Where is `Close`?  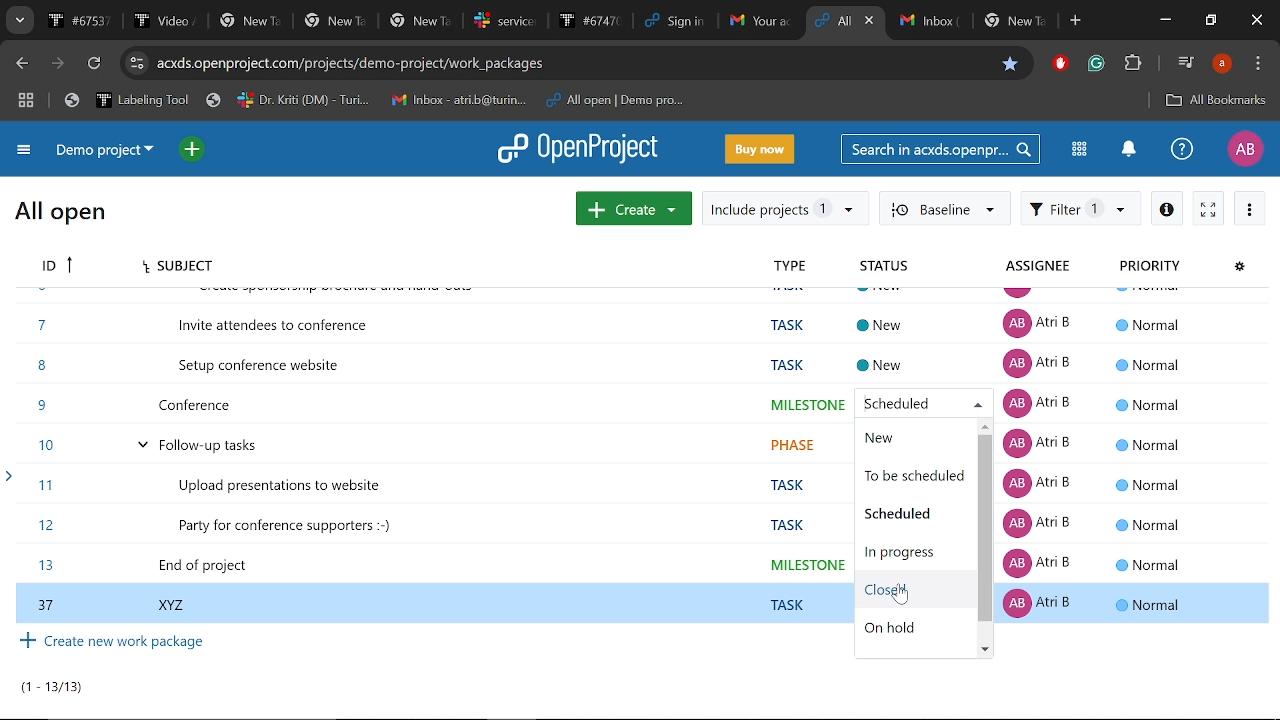
Close is located at coordinates (1258, 20).